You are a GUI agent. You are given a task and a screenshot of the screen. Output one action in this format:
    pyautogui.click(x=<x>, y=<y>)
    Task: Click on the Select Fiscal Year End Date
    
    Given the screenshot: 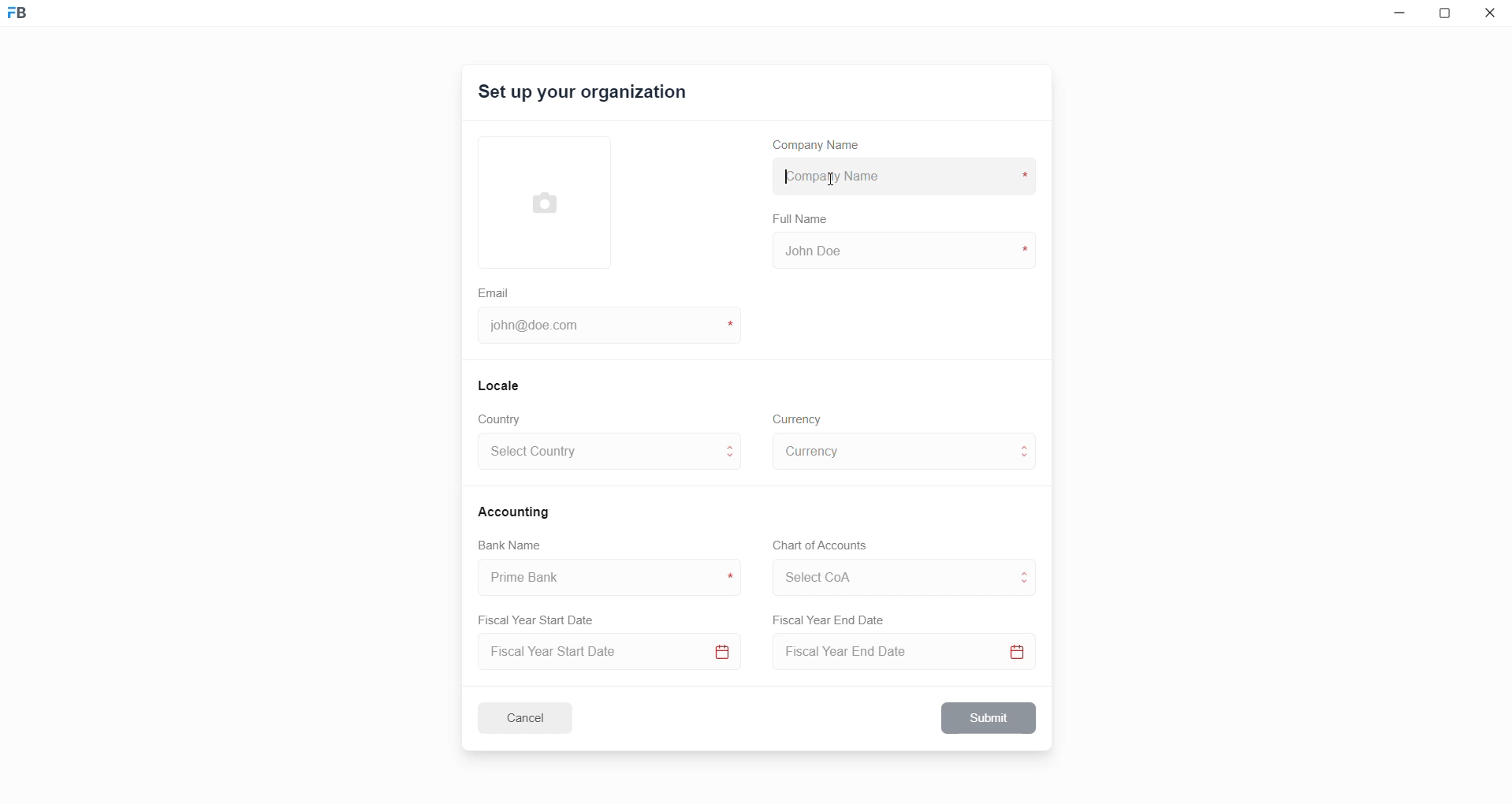 What is the action you would take?
    pyautogui.click(x=909, y=655)
    